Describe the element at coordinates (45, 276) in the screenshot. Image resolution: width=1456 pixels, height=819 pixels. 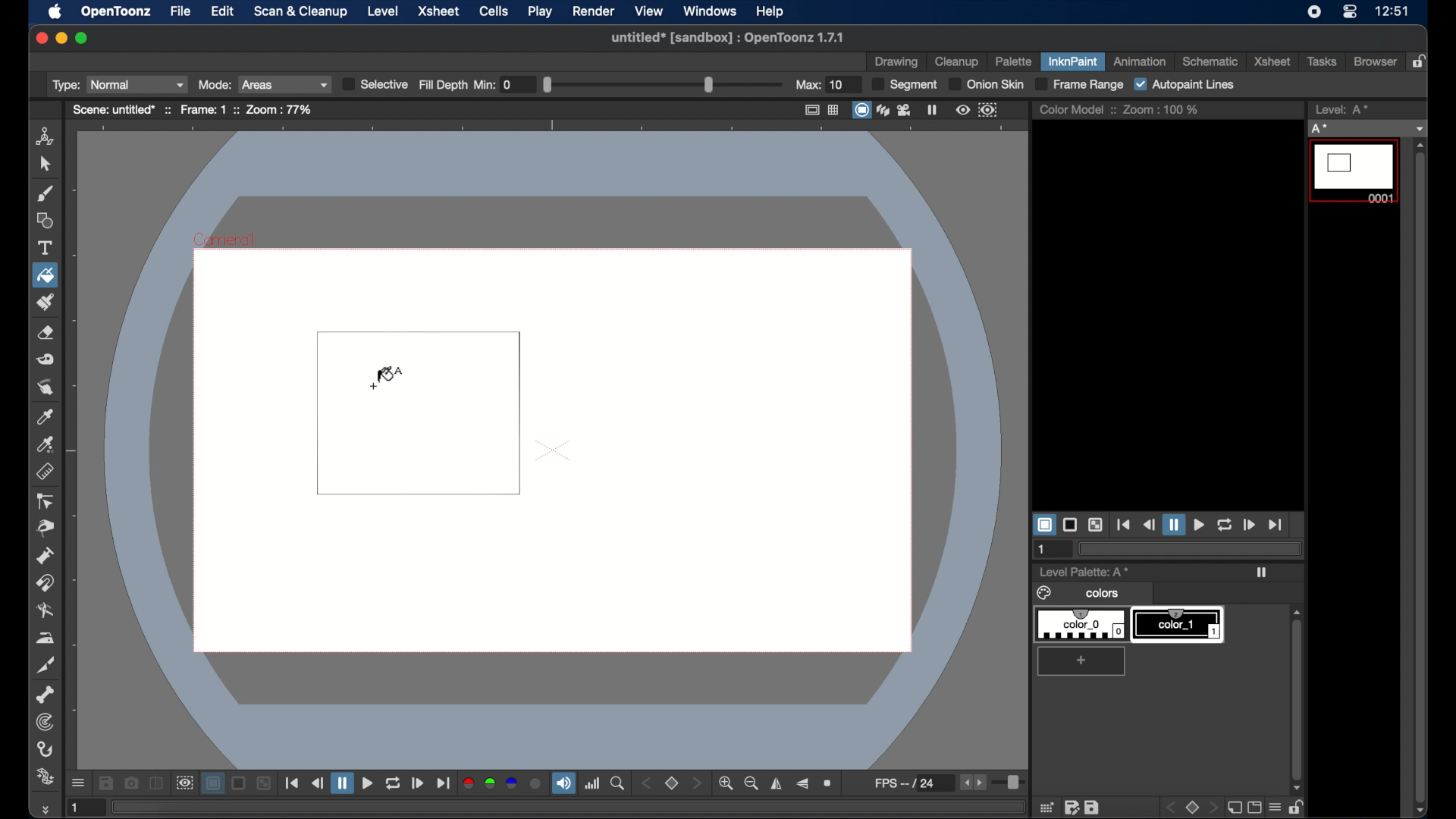
I see `fill tool` at that location.